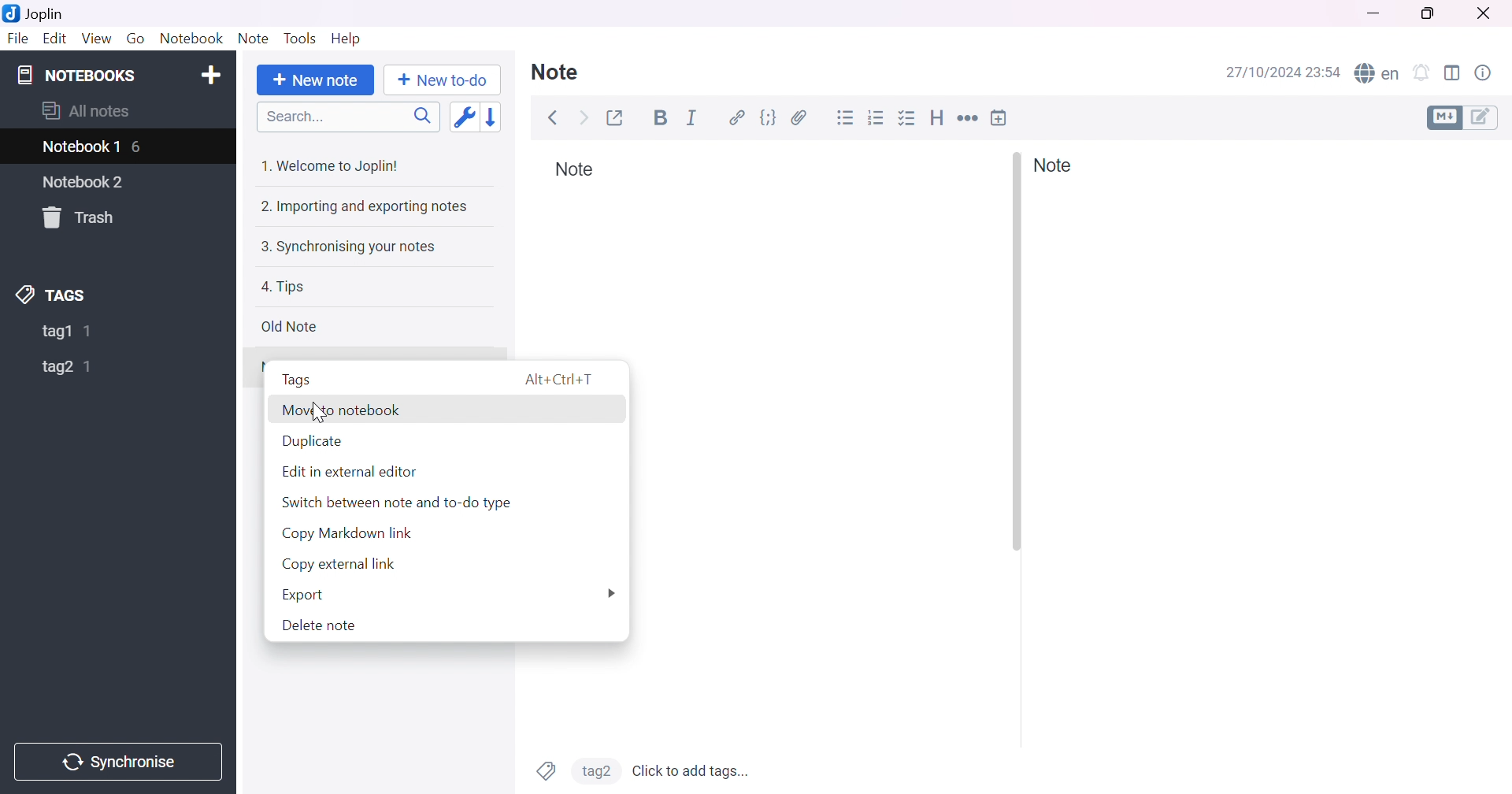 This screenshot has width=1512, height=794. Describe the element at coordinates (1455, 74) in the screenshot. I see `Toggle editor layout` at that location.